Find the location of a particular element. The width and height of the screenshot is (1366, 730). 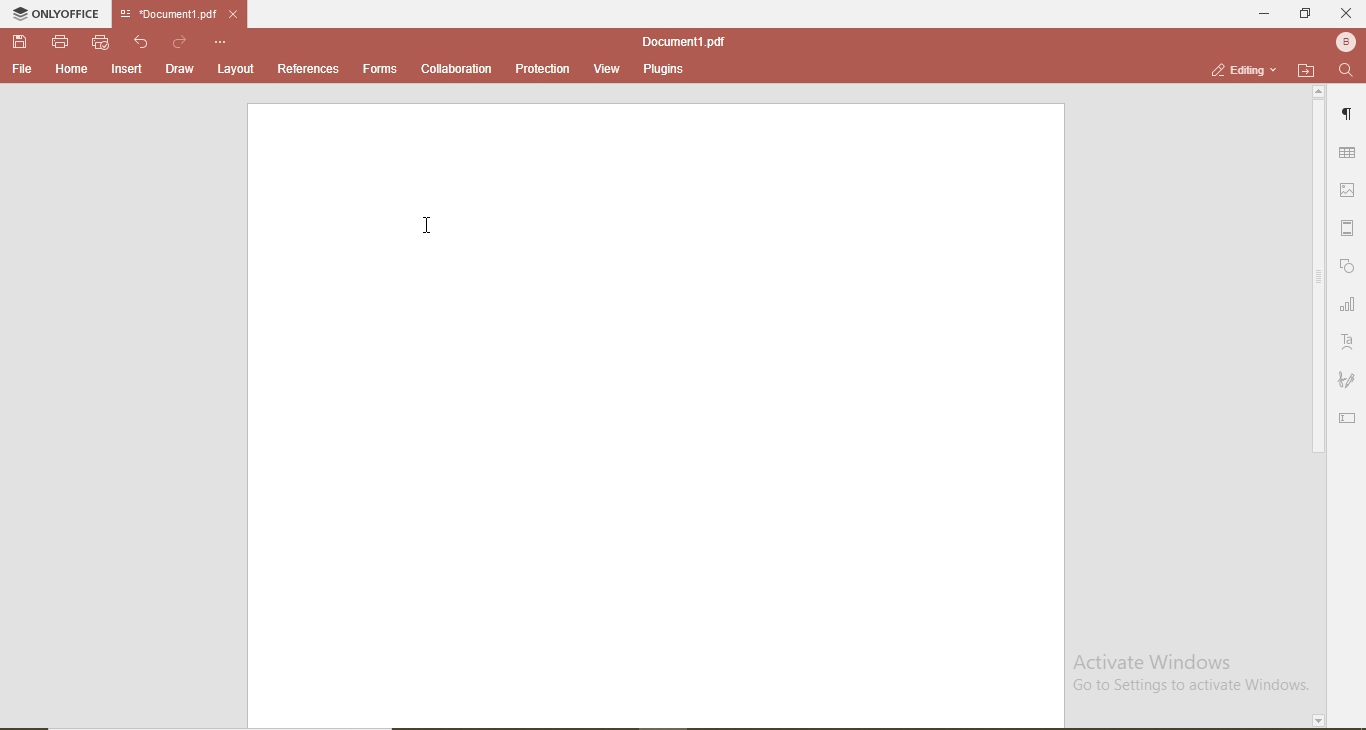

undo is located at coordinates (142, 43).